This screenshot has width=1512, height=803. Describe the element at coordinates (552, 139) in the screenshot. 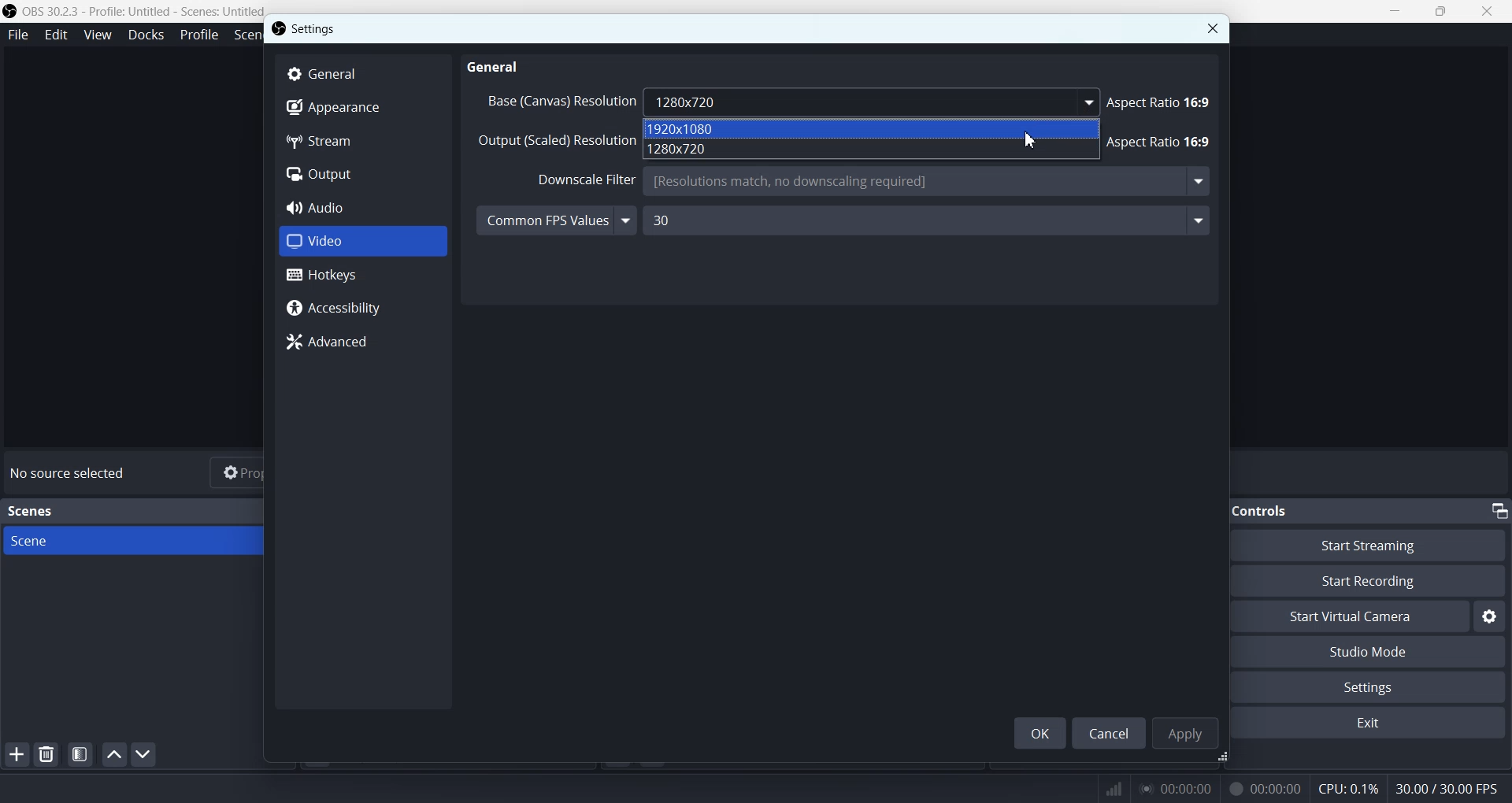

I see `Output (Scaled) Resolution` at that location.